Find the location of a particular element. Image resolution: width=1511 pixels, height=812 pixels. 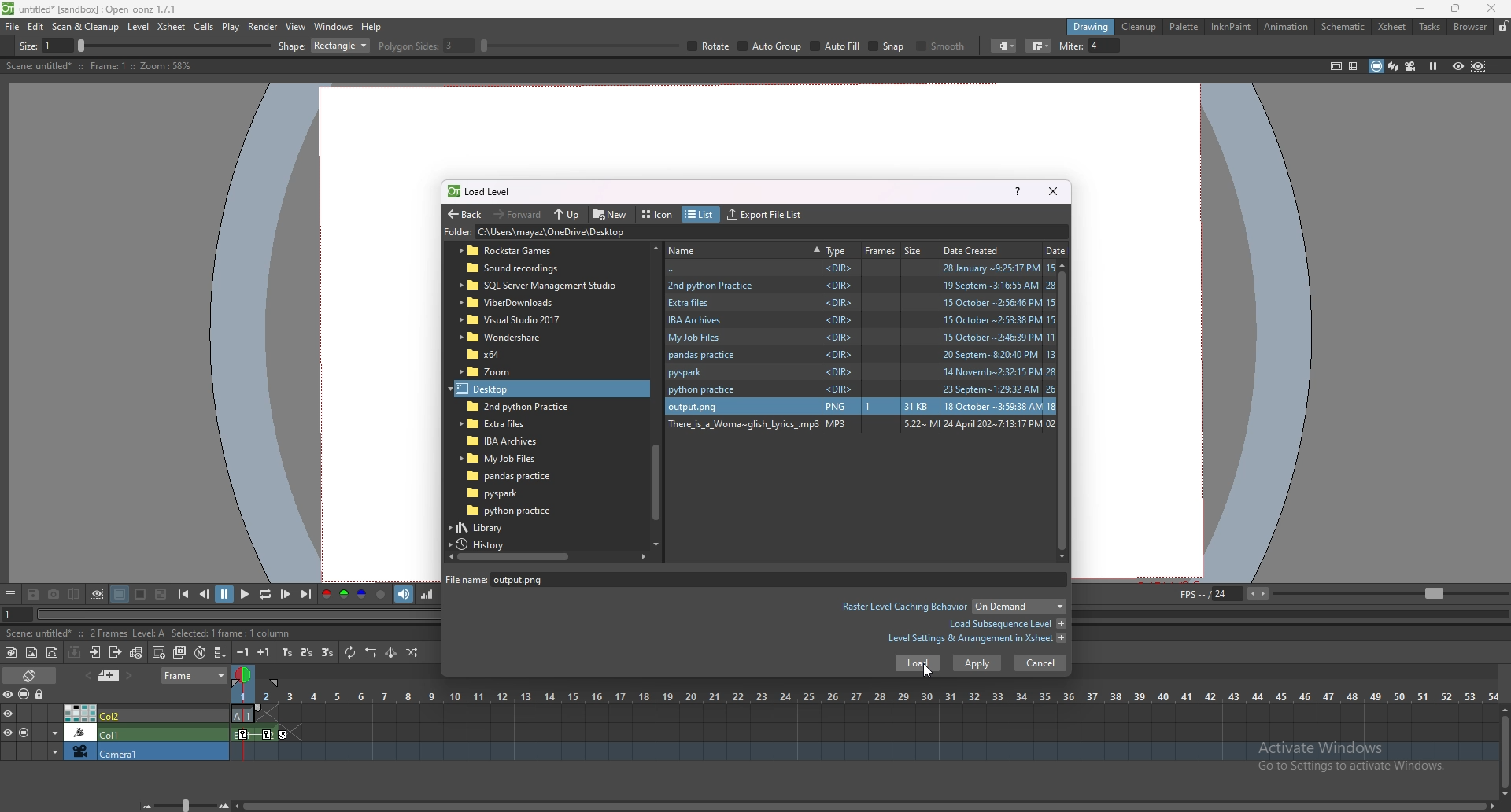

icon is located at coordinates (659, 215).